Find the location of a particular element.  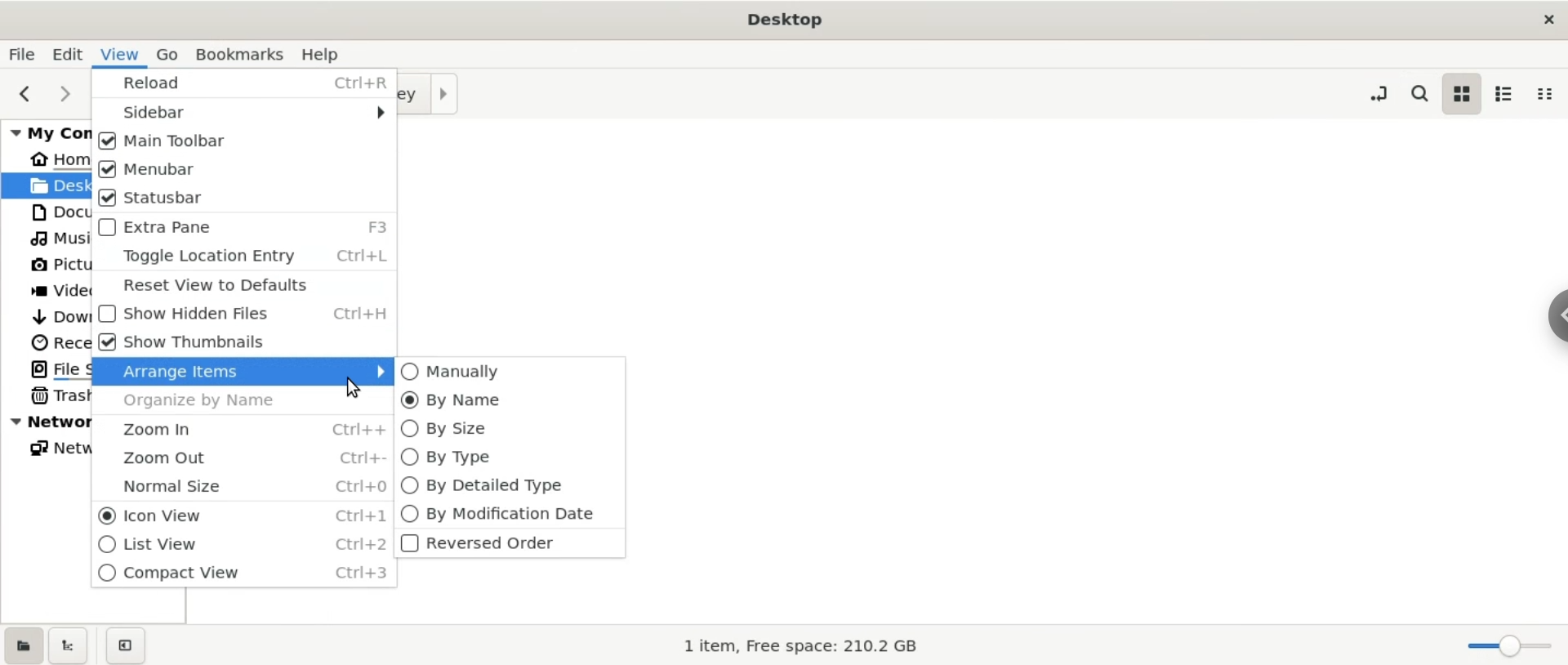

by type is located at coordinates (512, 458).